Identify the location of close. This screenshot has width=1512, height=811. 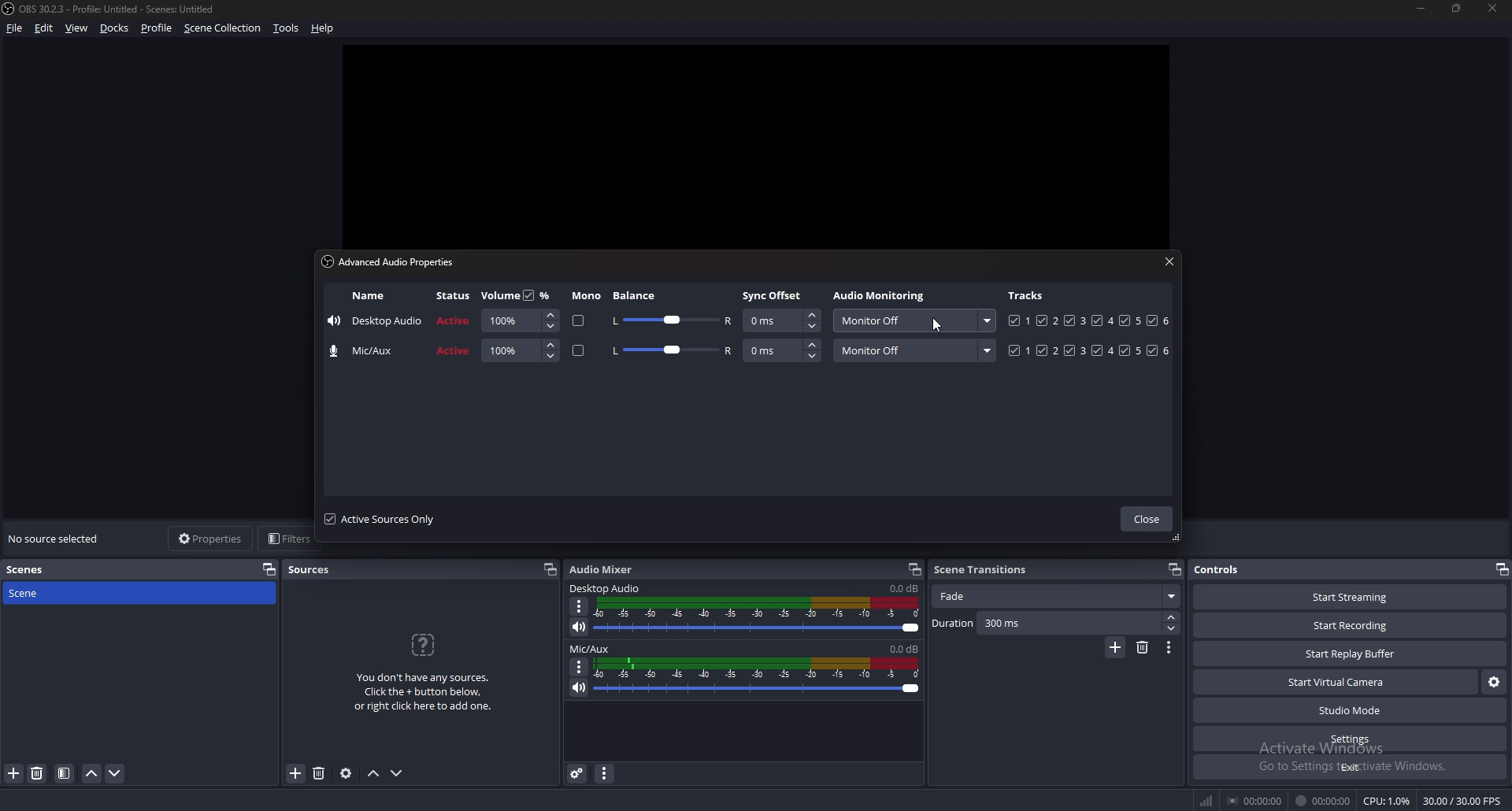
(1493, 9).